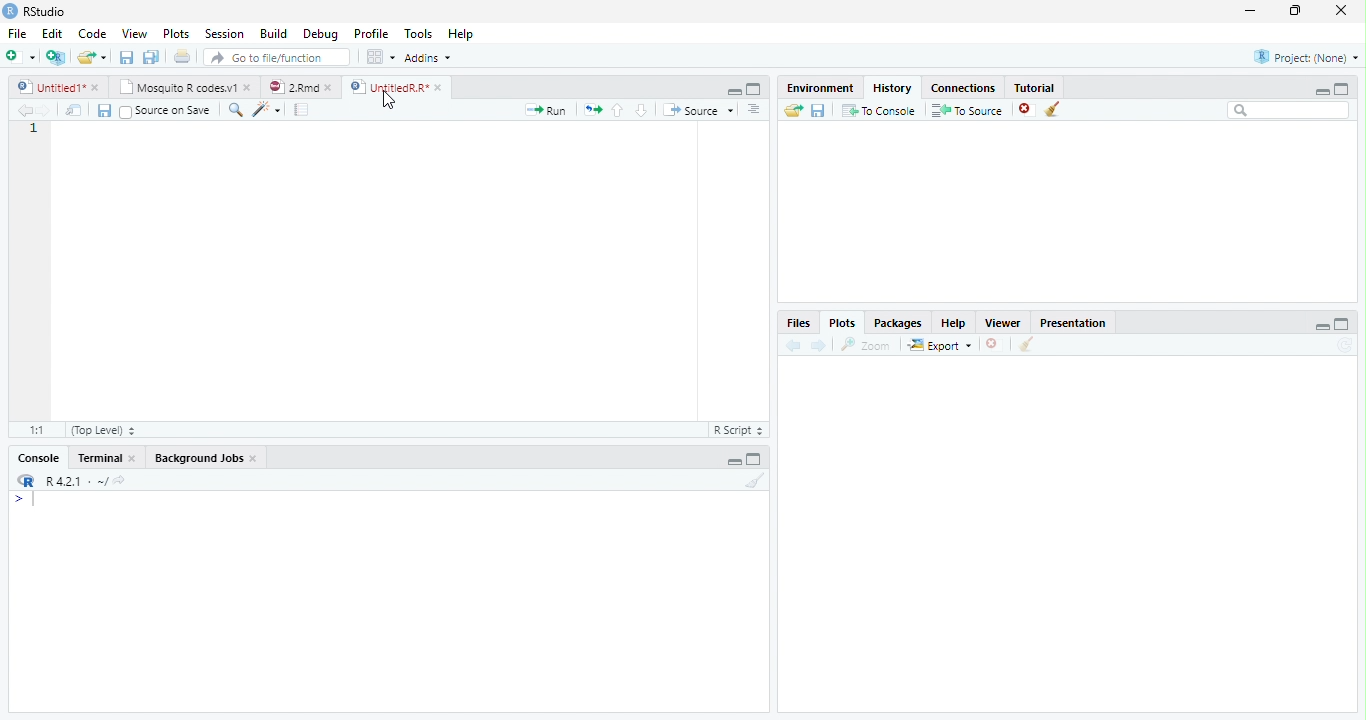 This screenshot has height=720, width=1366. Describe the element at coordinates (73, 113) in the screenshot. I see `Show in new window` at that location.